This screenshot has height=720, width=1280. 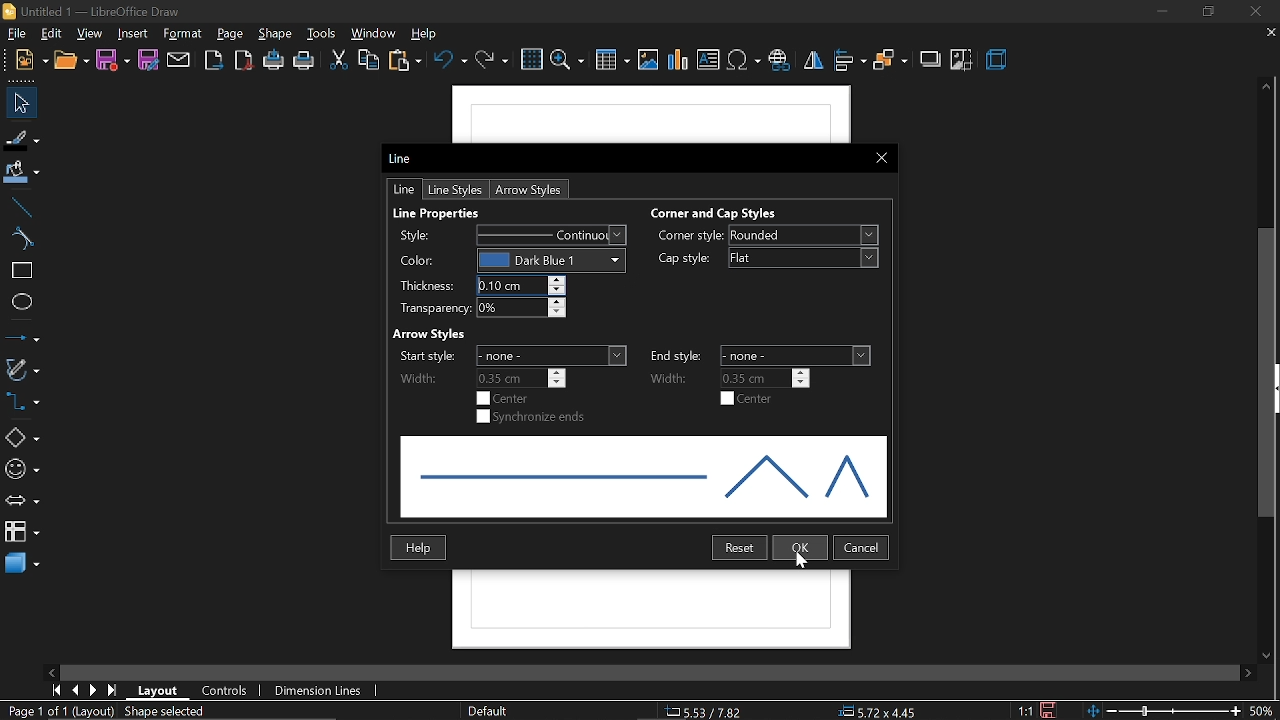 I want to click on connectors, so click(x=21, y=401).